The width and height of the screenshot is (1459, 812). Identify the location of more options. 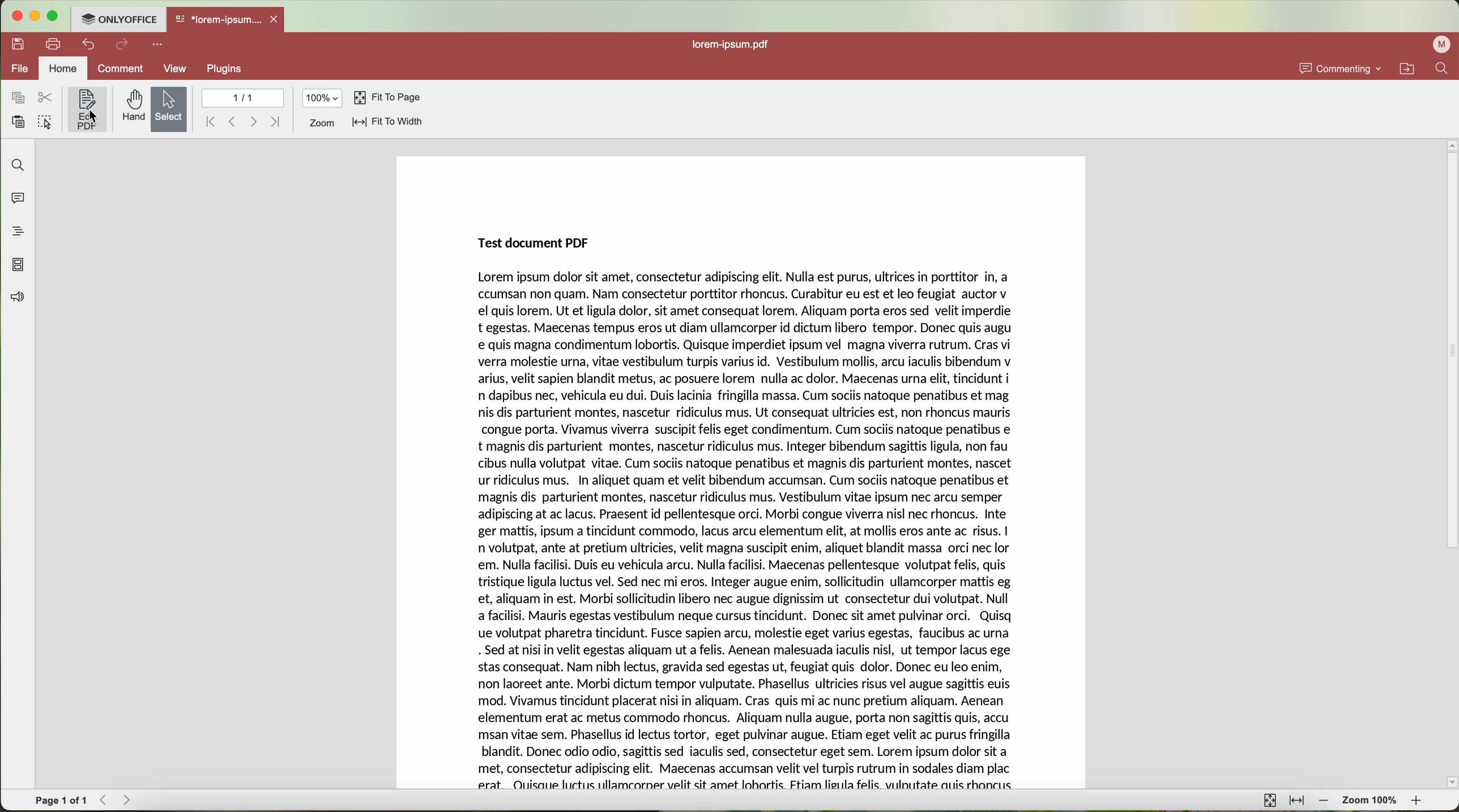
(160, 43).